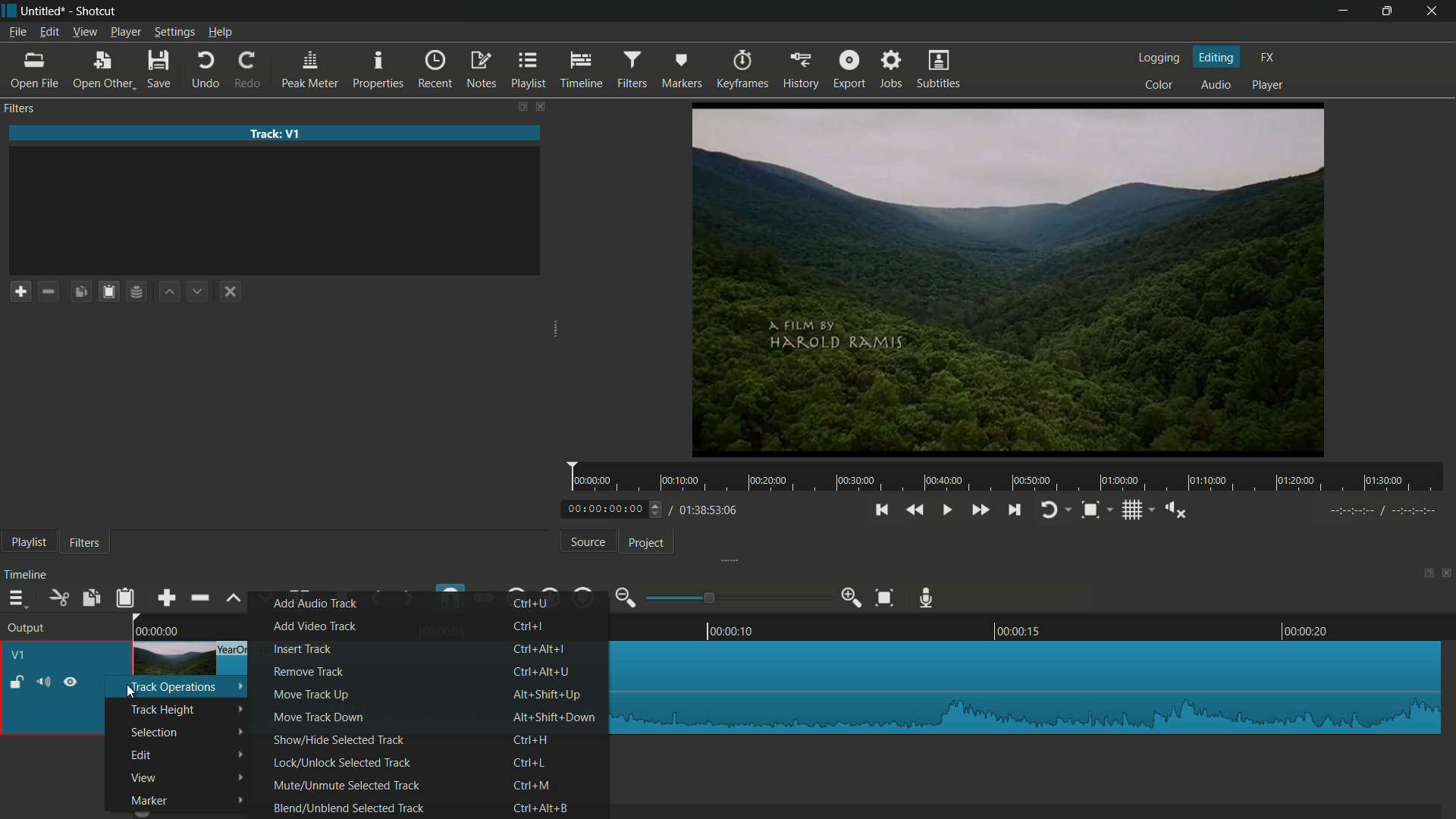 This screenshot has width=1456, height=819. I want to click on record audio, so click(927, 596).